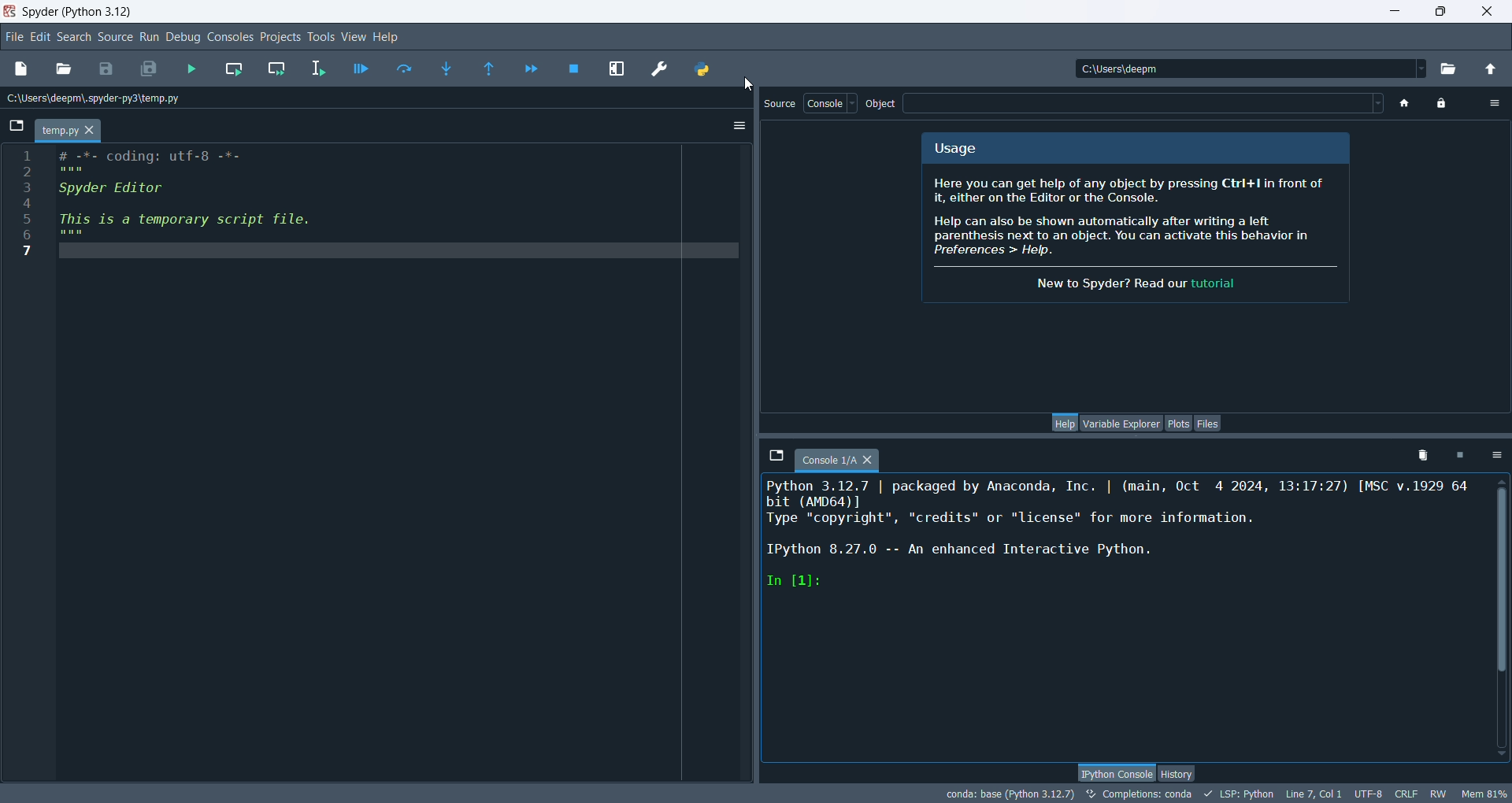  Describe the element at coordinates (236, 71) in the screenshot. I see `run current cell` at that location.